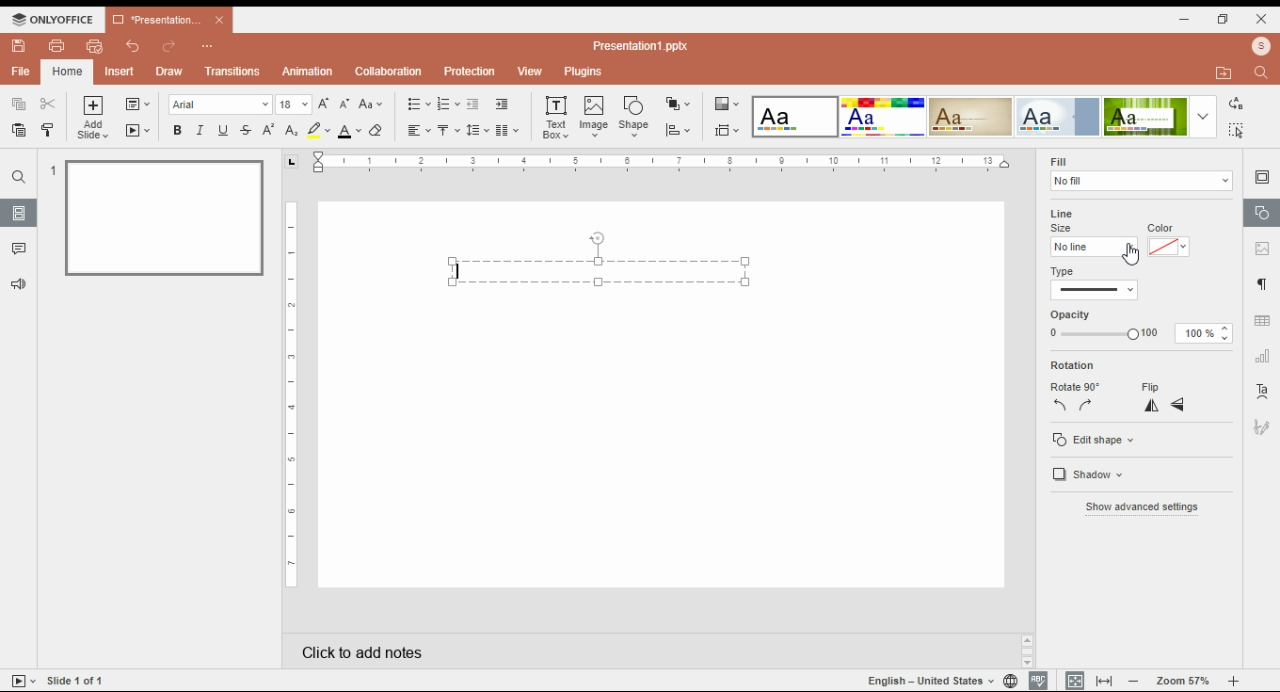 This screenshot has width=1280, height=692. Describe the element at coordinates (317, 129) in the screenshot. I see `highlight color` at that location.